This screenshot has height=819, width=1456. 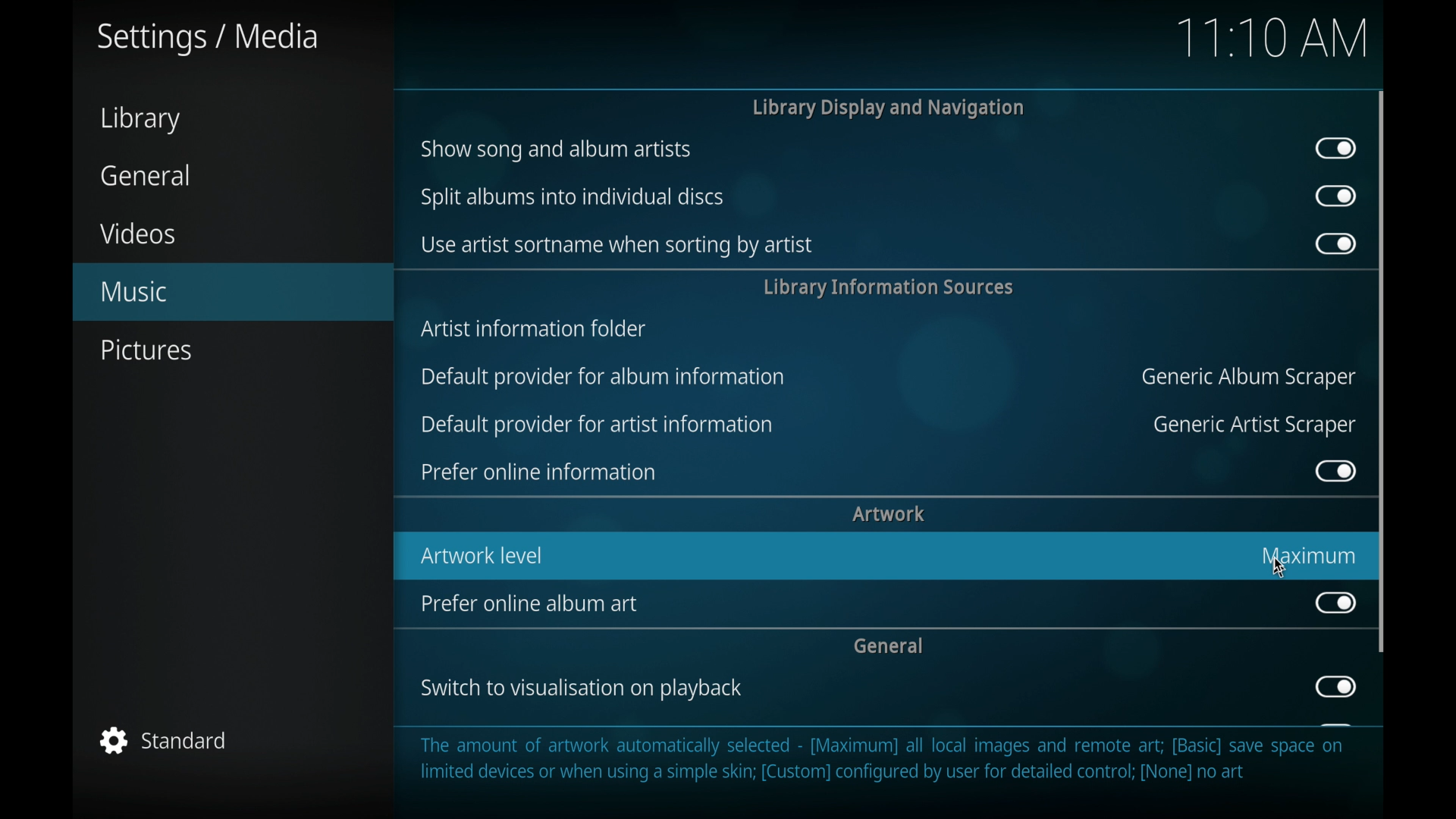 I want to click on toggle button, so click(x=1335, y=196).